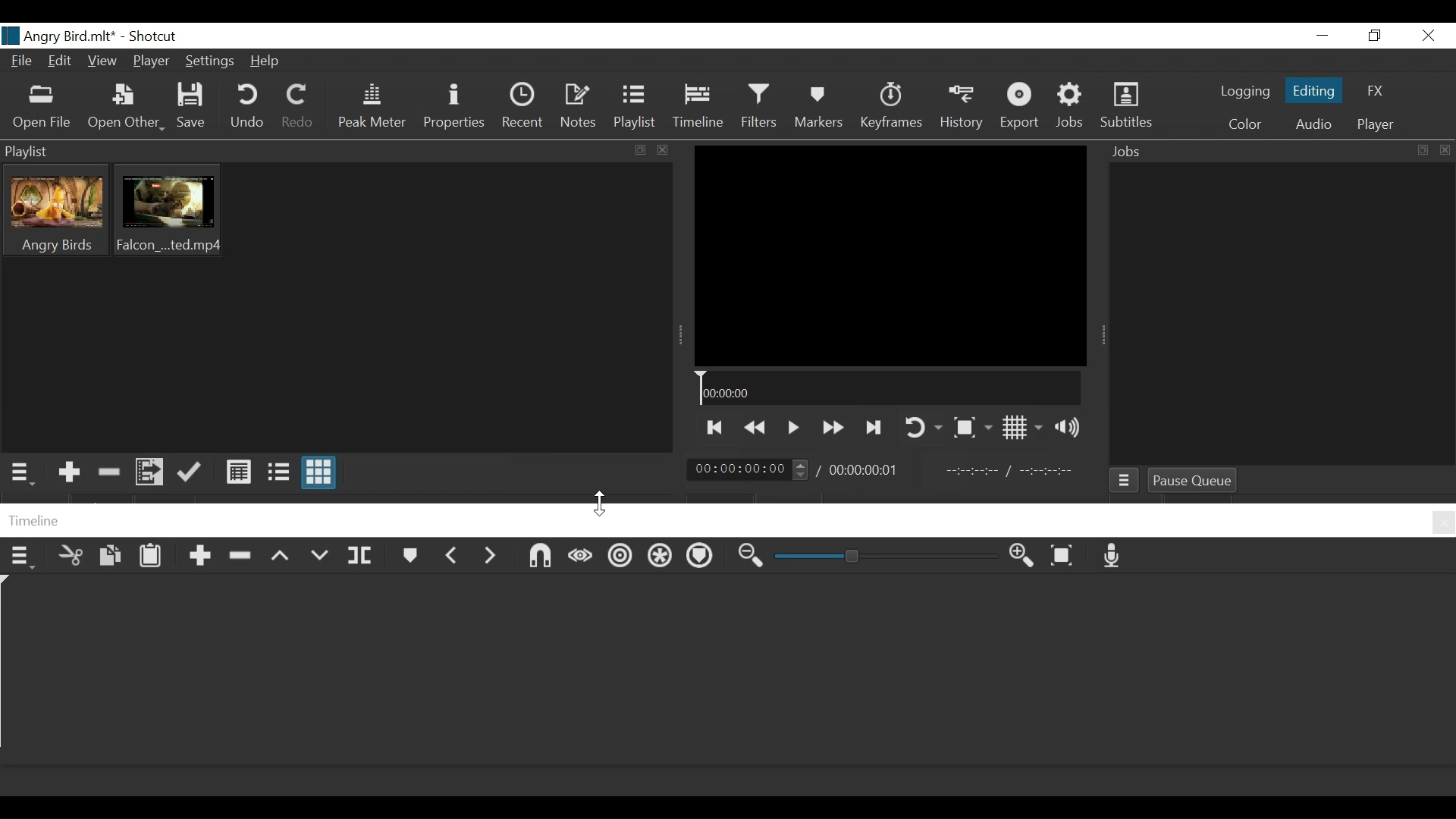  Describe the element at coordinates (374, 108) in the screenshot. I see `Peak Meter` at that location.